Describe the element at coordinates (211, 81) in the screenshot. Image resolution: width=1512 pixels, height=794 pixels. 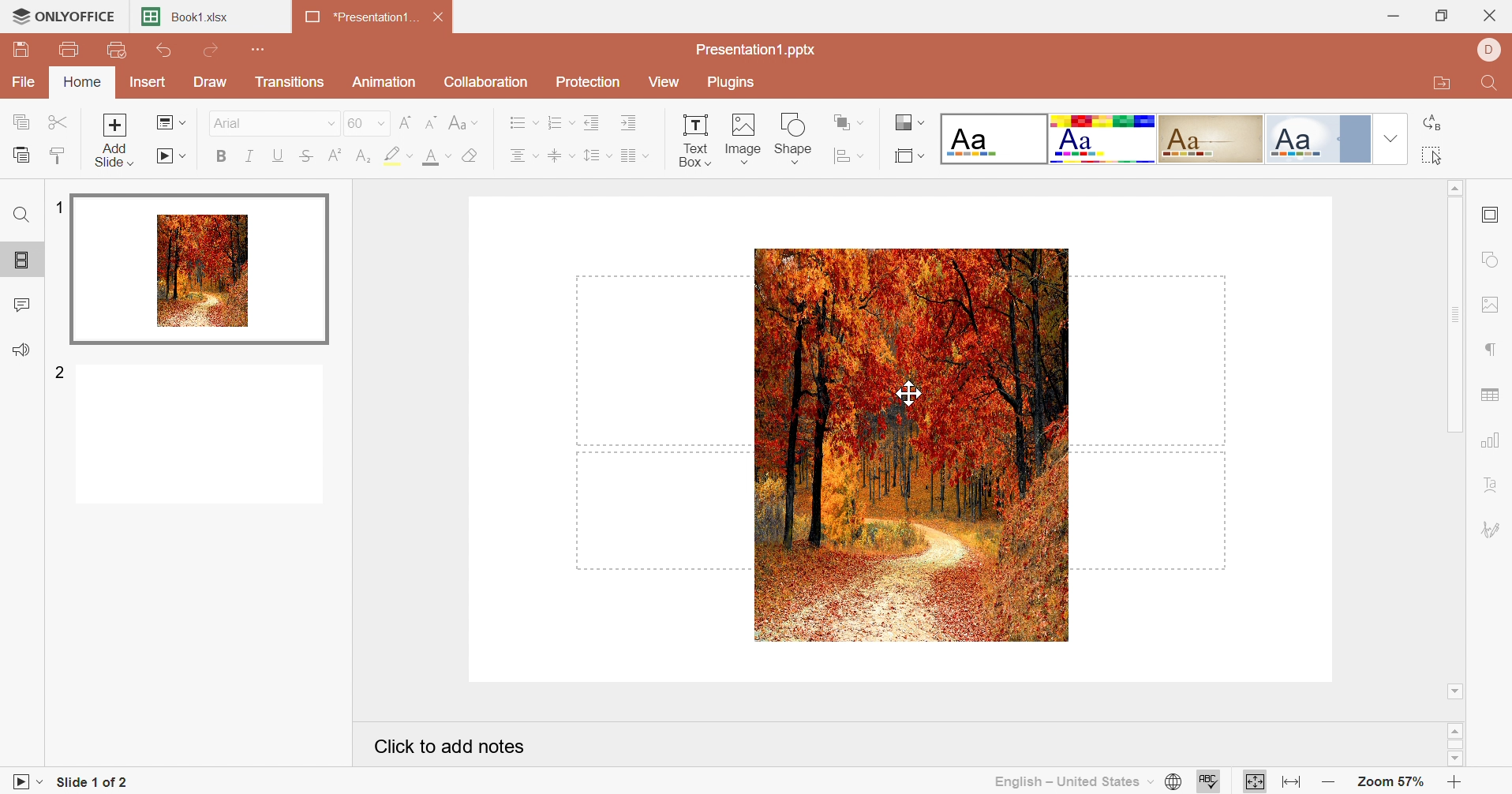
I see `Draw` at that location.